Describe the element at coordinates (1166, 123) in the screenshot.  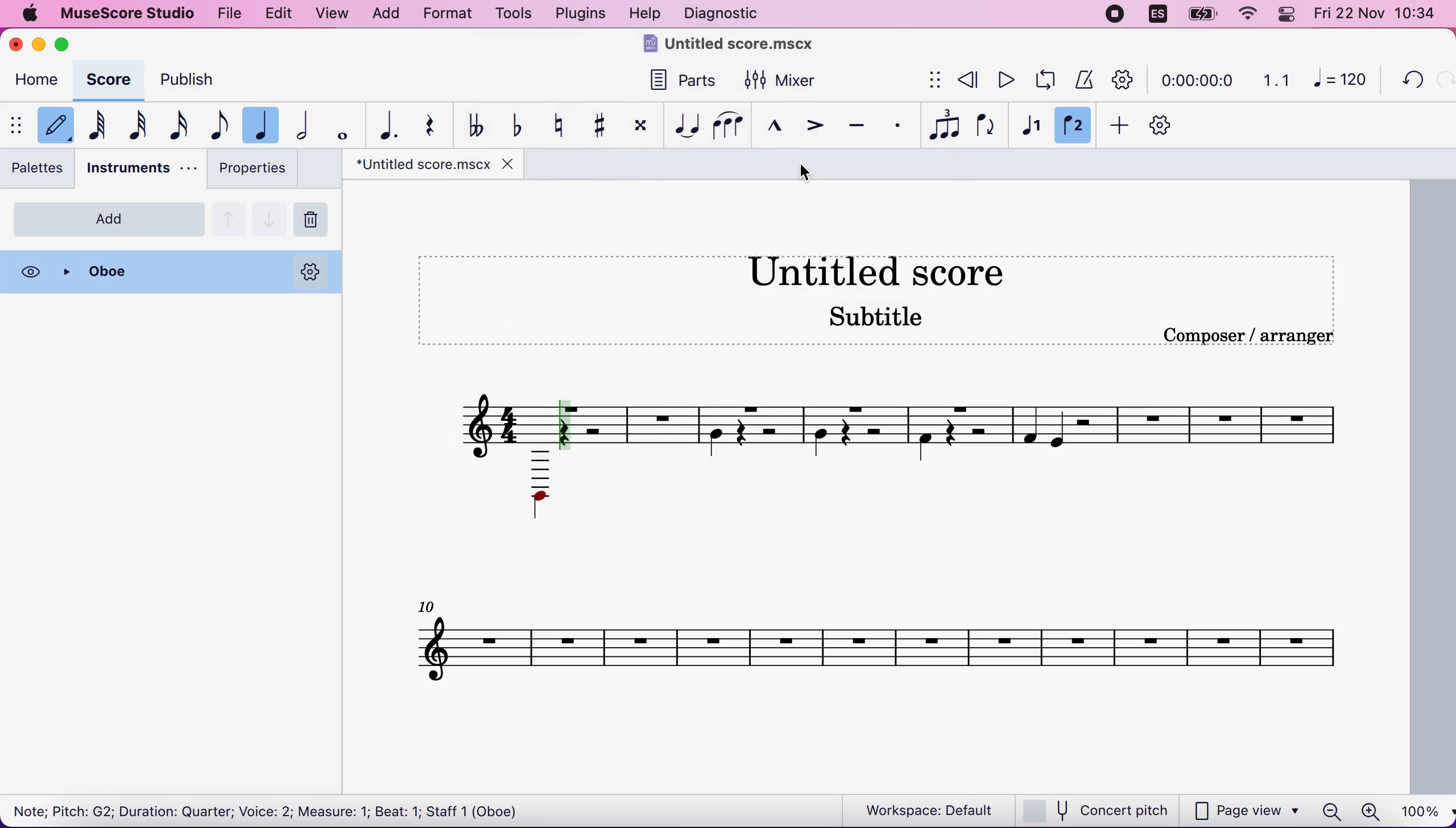
I see `customization tool` at that location.